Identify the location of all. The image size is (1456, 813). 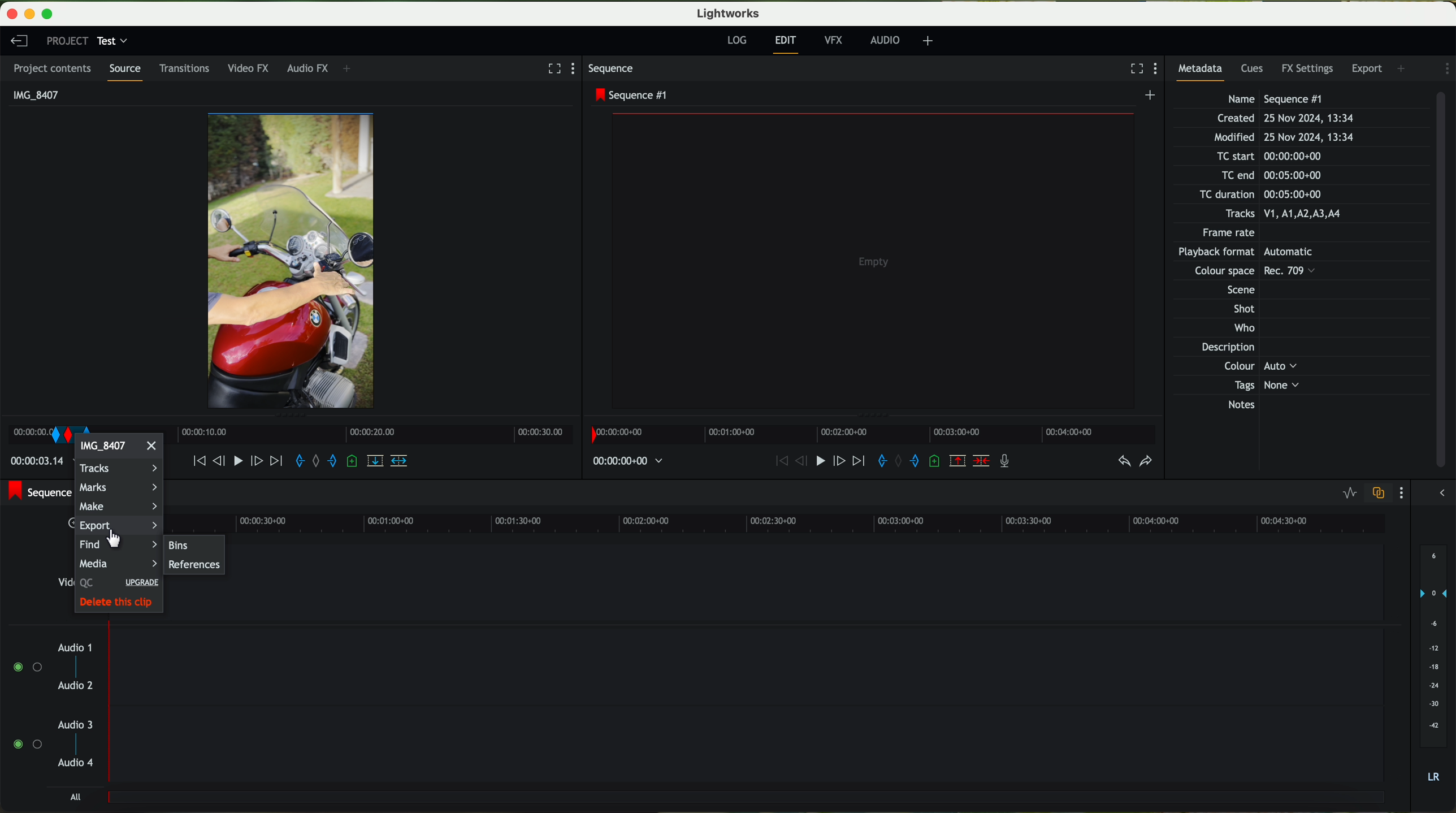
(77, 798).